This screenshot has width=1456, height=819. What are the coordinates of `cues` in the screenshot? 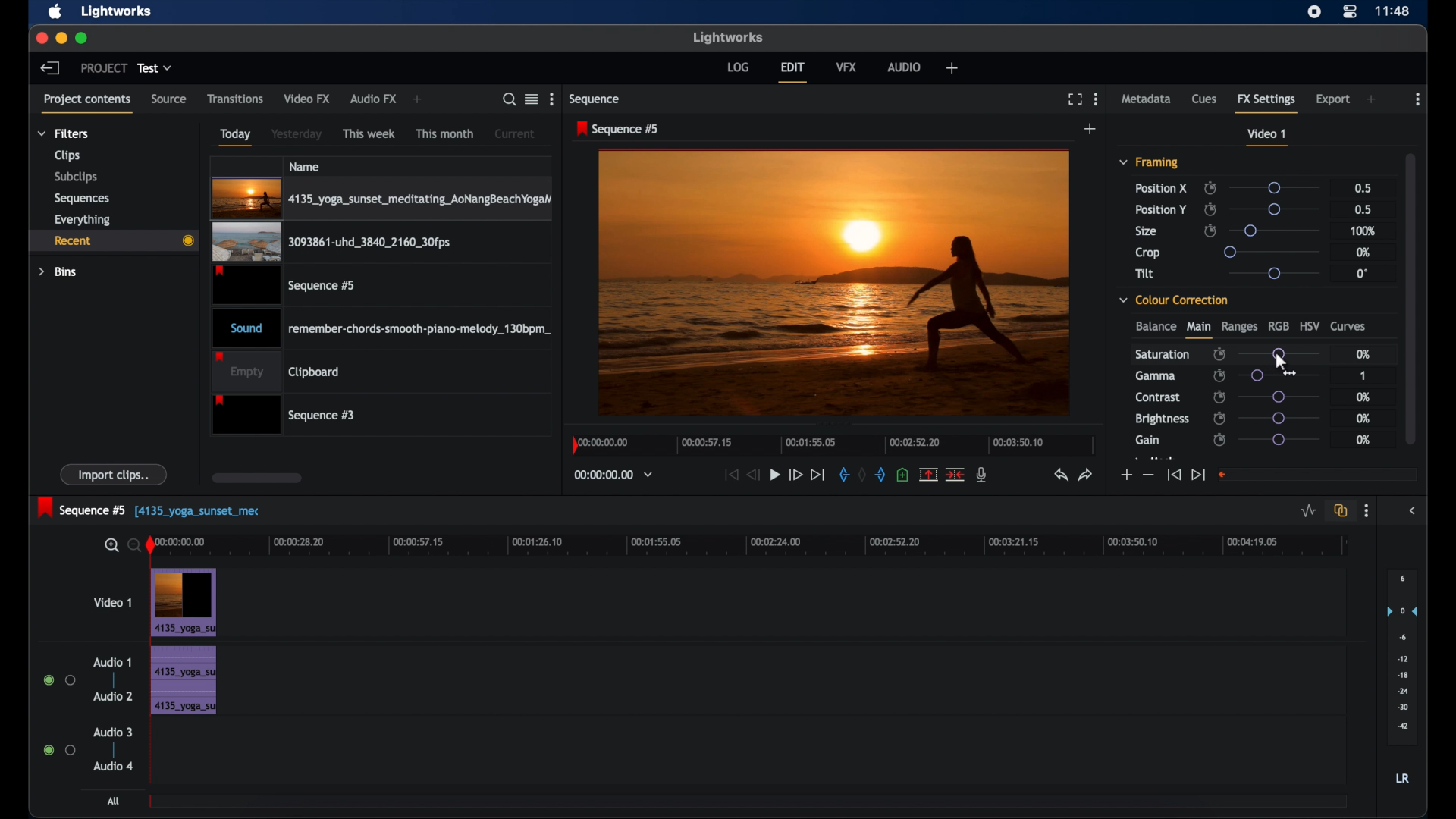 It's located at (1205, 99).